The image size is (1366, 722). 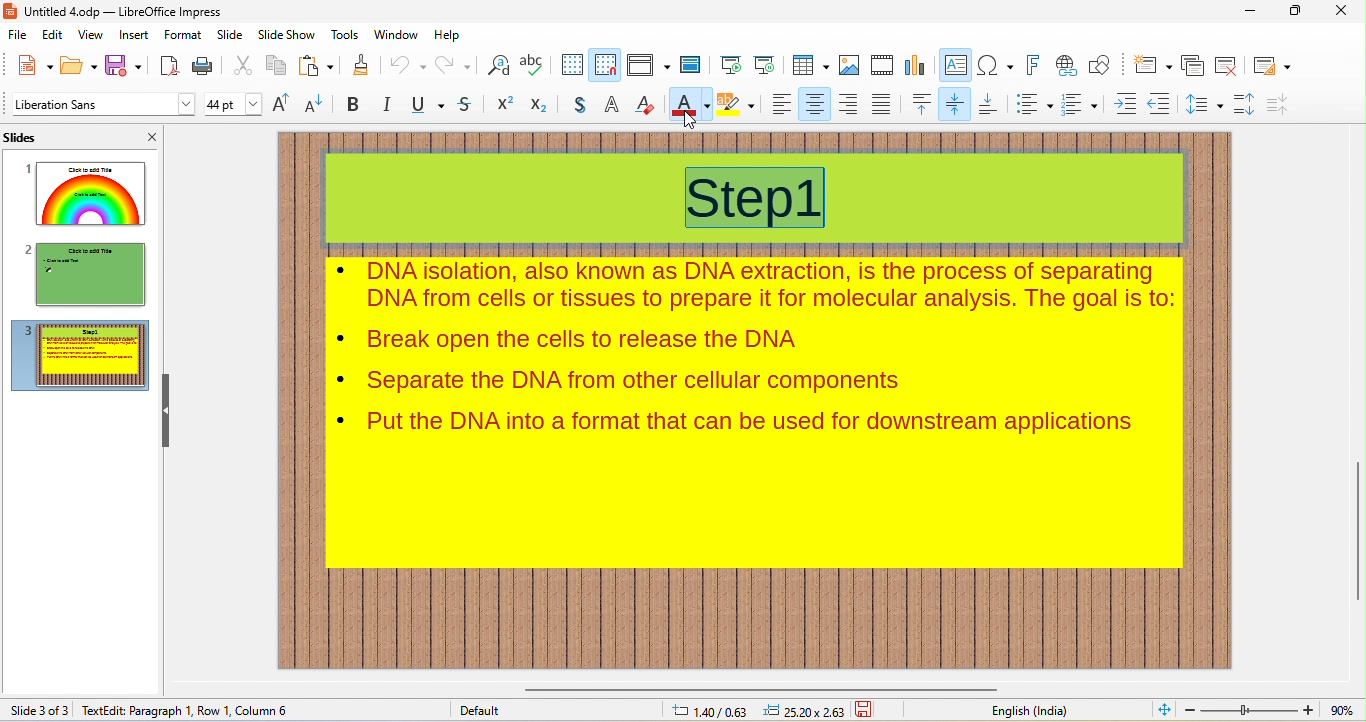 I want to click on english, so click(x=1025, y=711).